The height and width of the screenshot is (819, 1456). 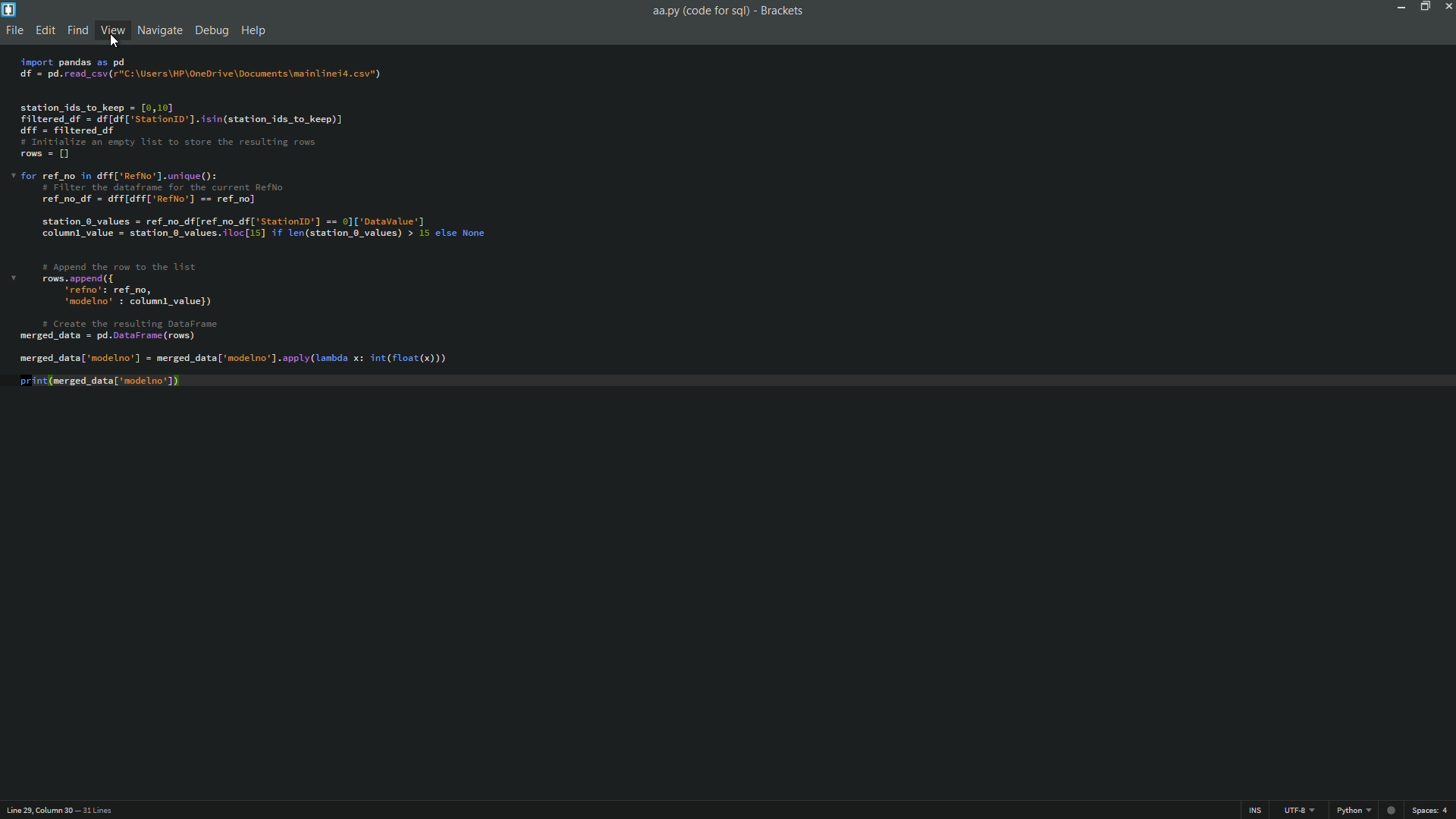 What do you see at coordinates (1300, 810) in the screenshot?
I see `file encoding button` at bounding box center [1300, 810].